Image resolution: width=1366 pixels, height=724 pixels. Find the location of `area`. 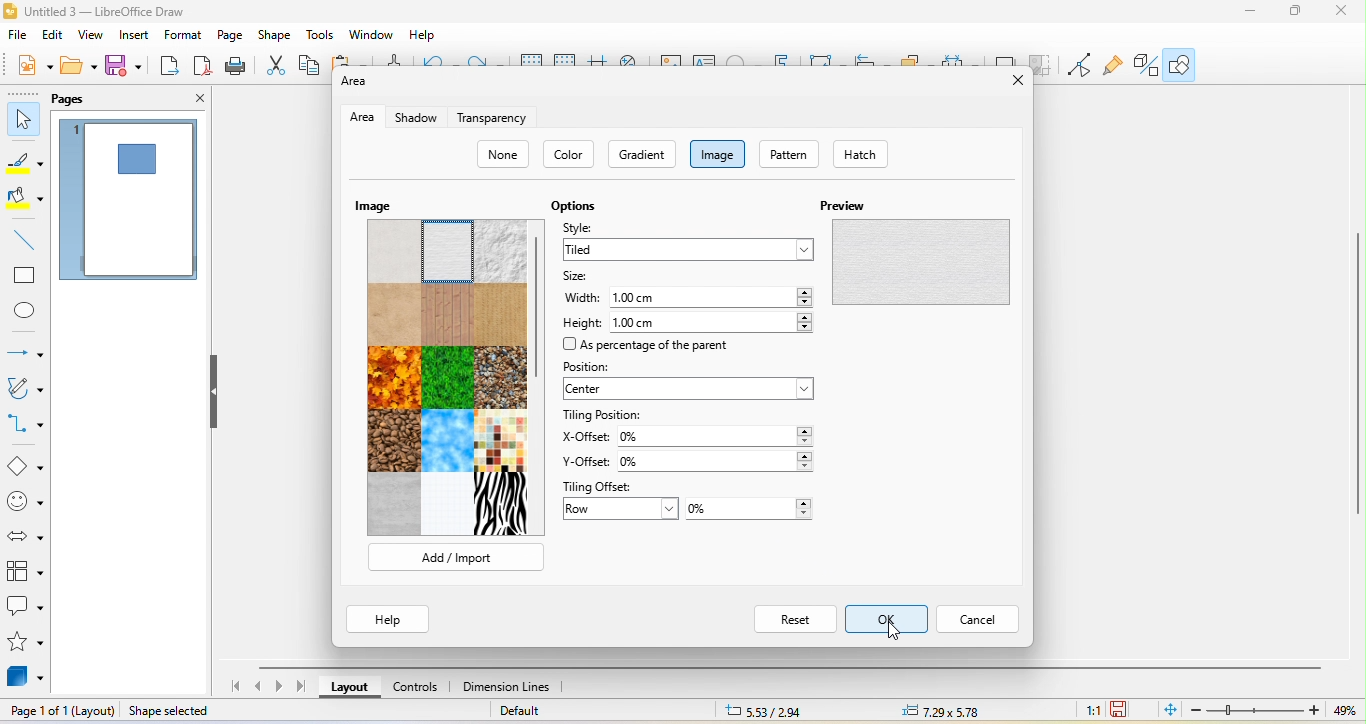

area is located at coordinates (364, 118).